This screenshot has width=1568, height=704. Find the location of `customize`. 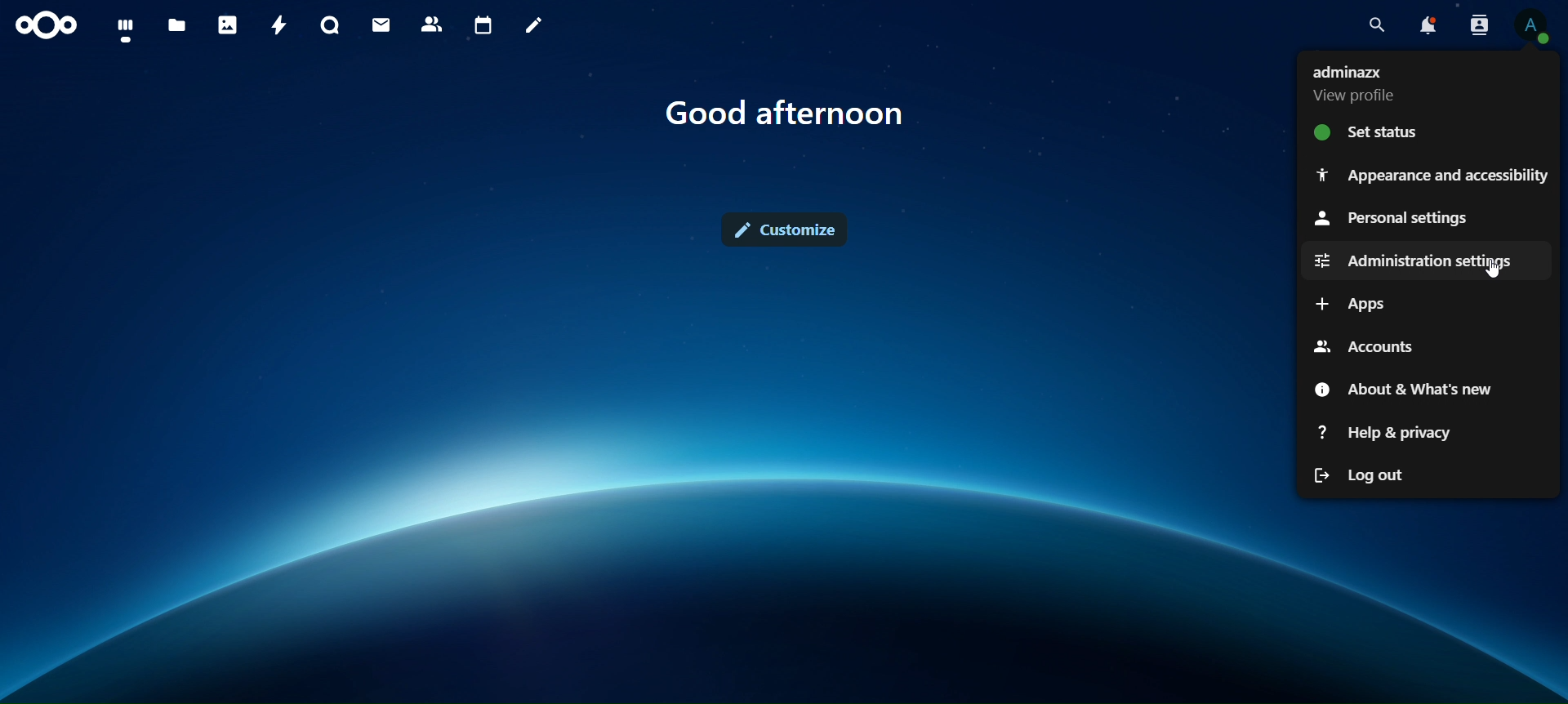

customize is located at coordinates (787, 230).